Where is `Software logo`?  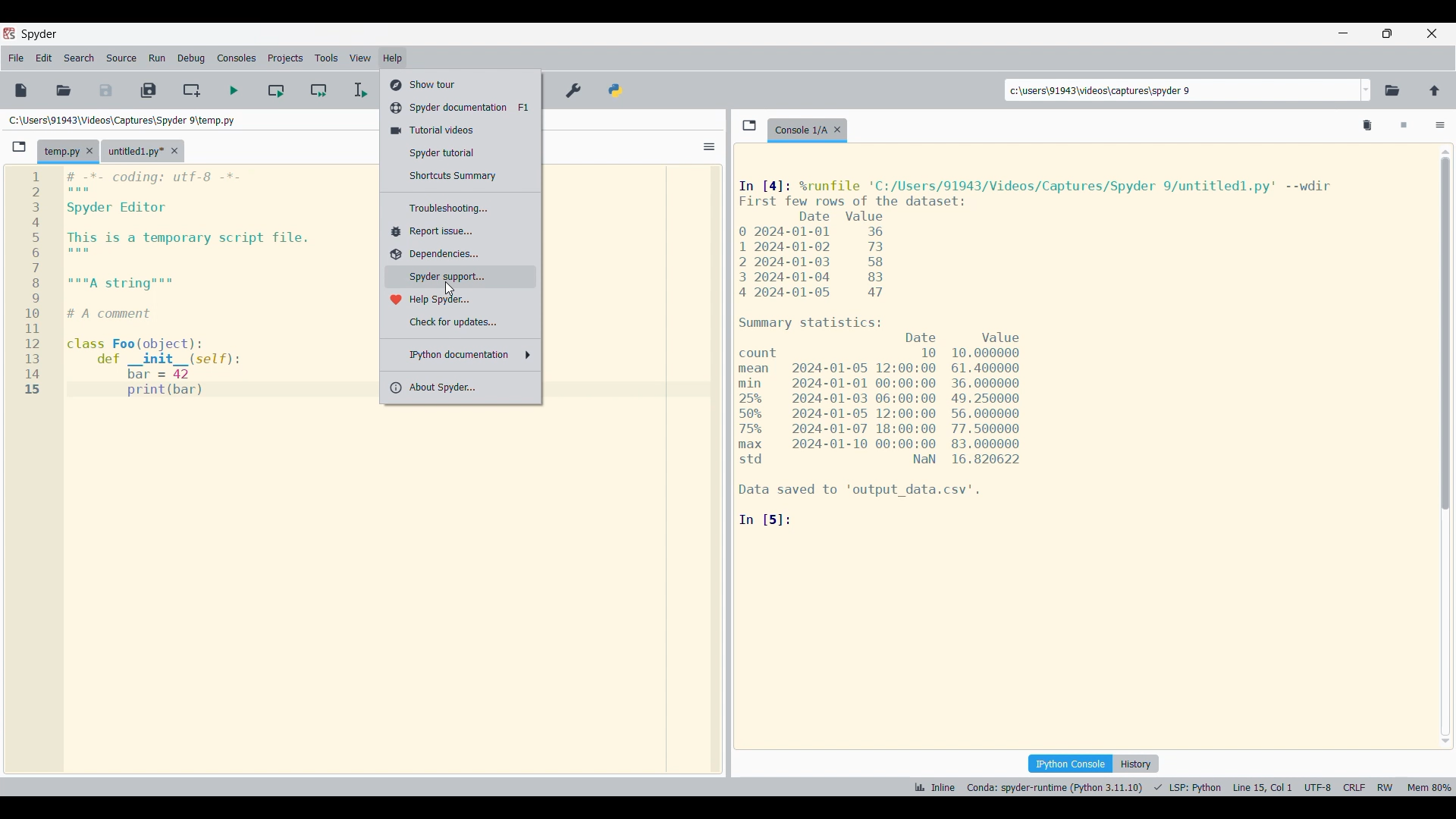 Software logo is located at coordinates (9, 33).